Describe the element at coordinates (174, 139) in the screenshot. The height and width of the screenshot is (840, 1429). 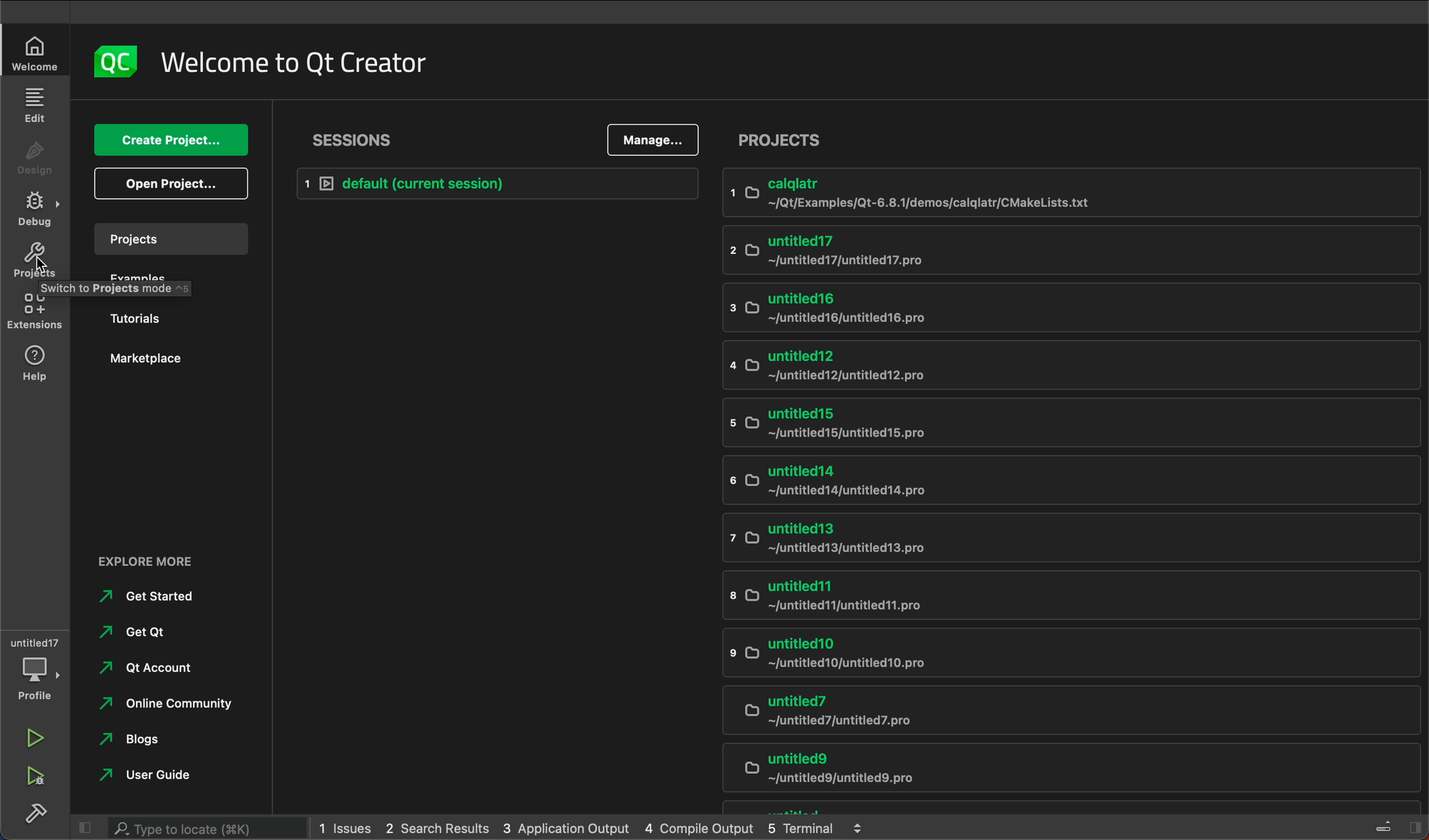
I see `create project` at that location.